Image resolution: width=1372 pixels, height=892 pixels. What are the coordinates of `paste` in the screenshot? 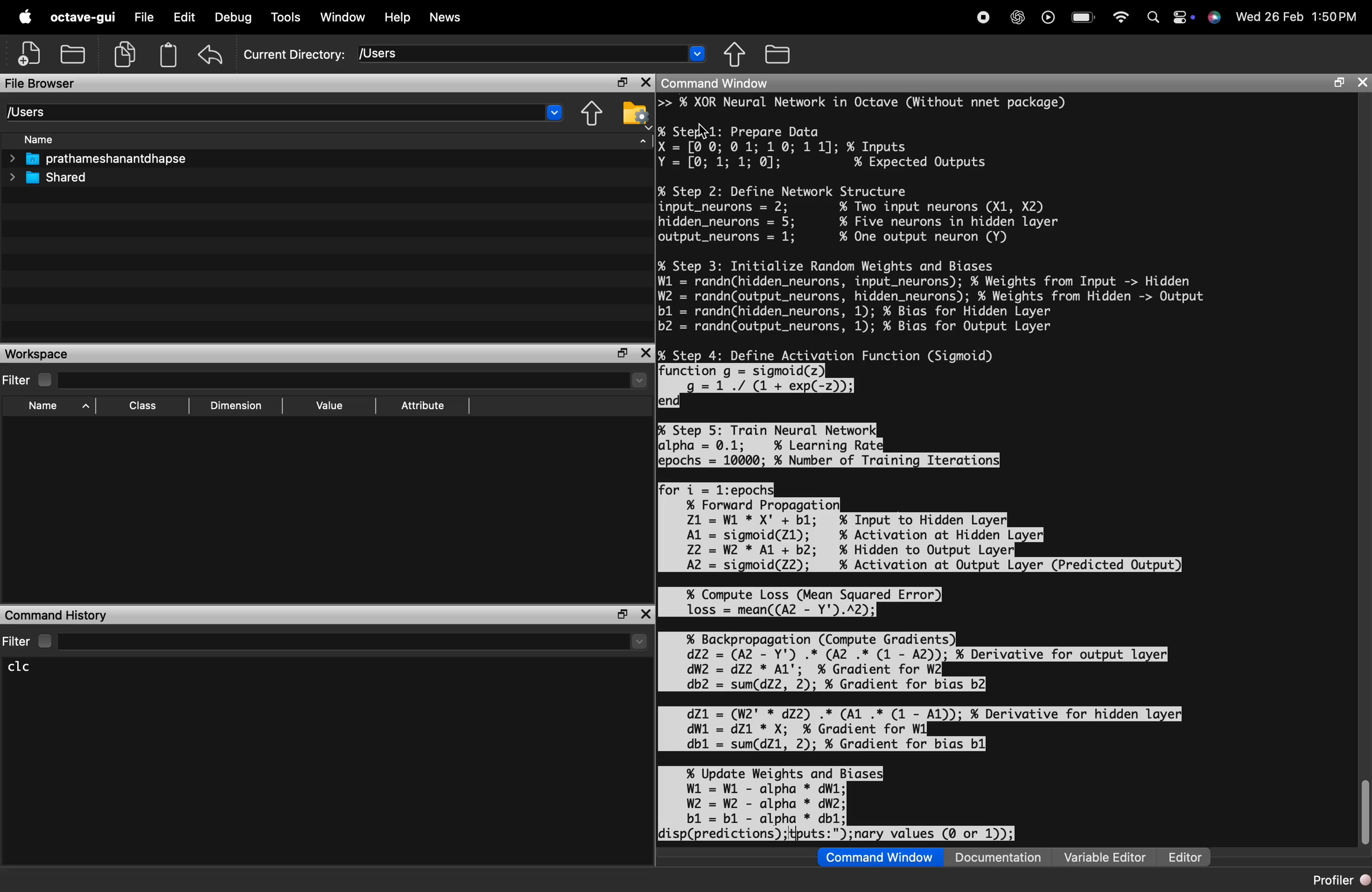 It's located at (168, 55).